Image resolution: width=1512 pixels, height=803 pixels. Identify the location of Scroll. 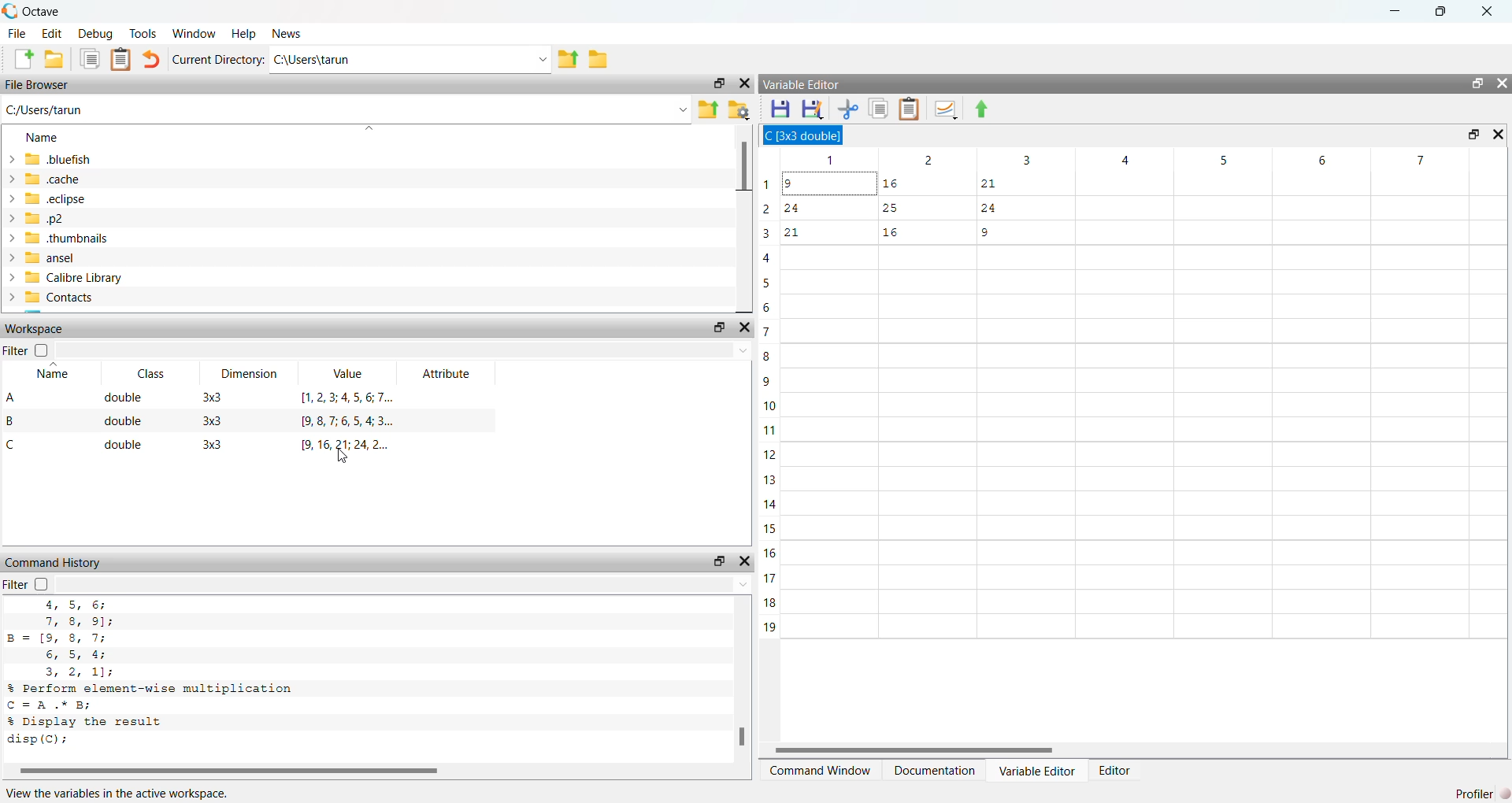
(743, 680).